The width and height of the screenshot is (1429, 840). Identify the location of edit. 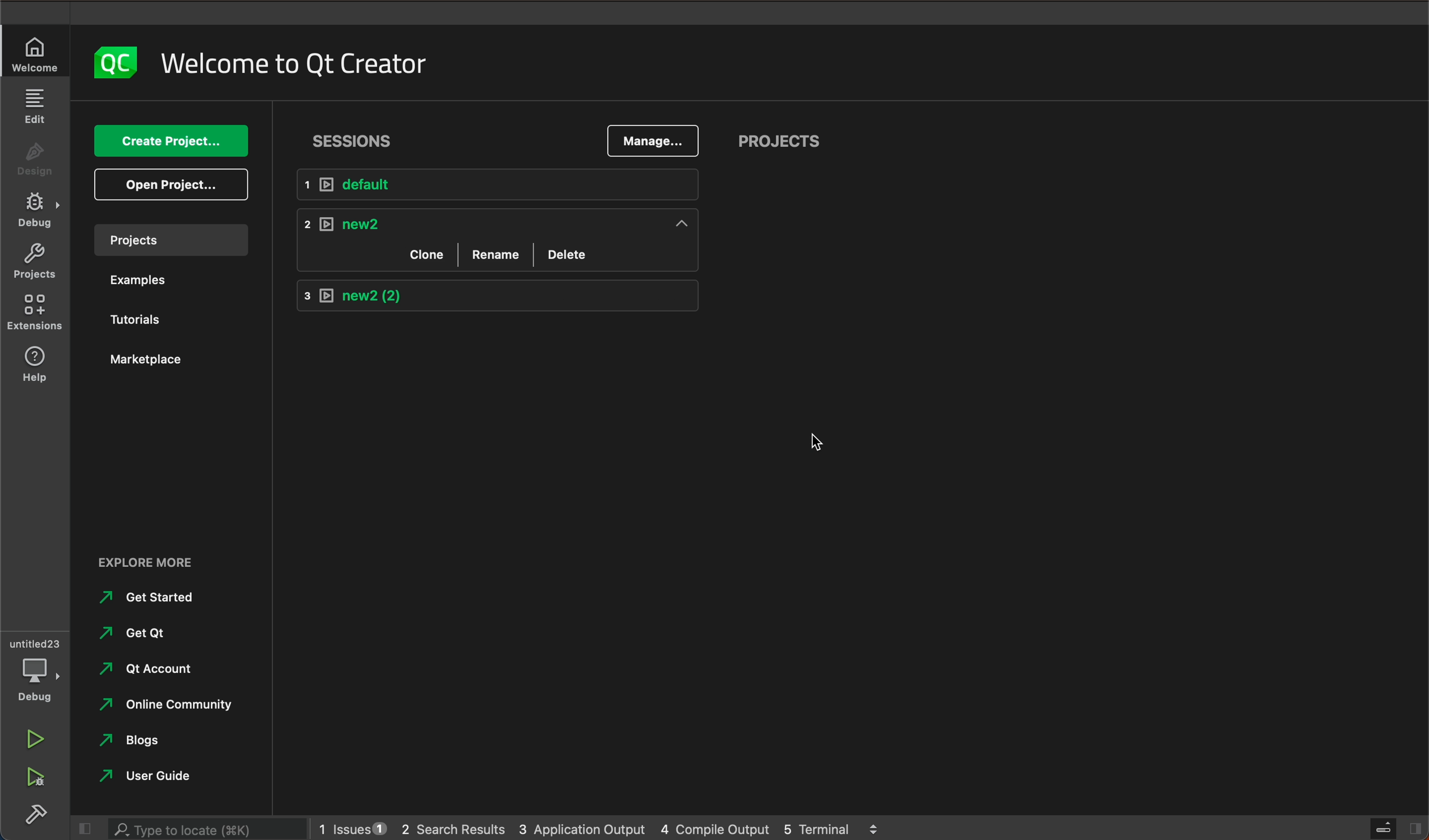
(38, 109).